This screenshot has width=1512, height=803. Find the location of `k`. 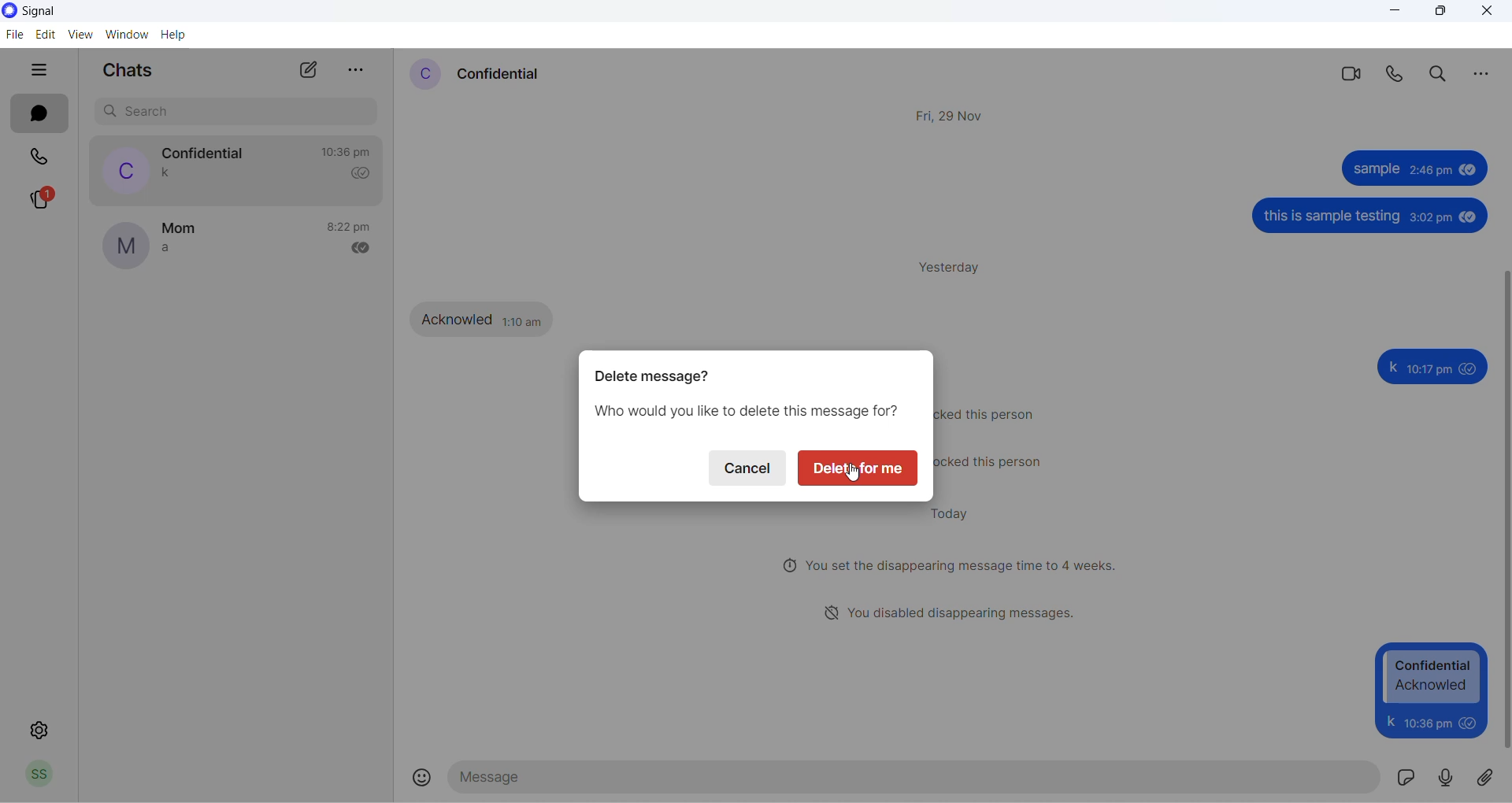

k is located at coordinates (1390, 367).